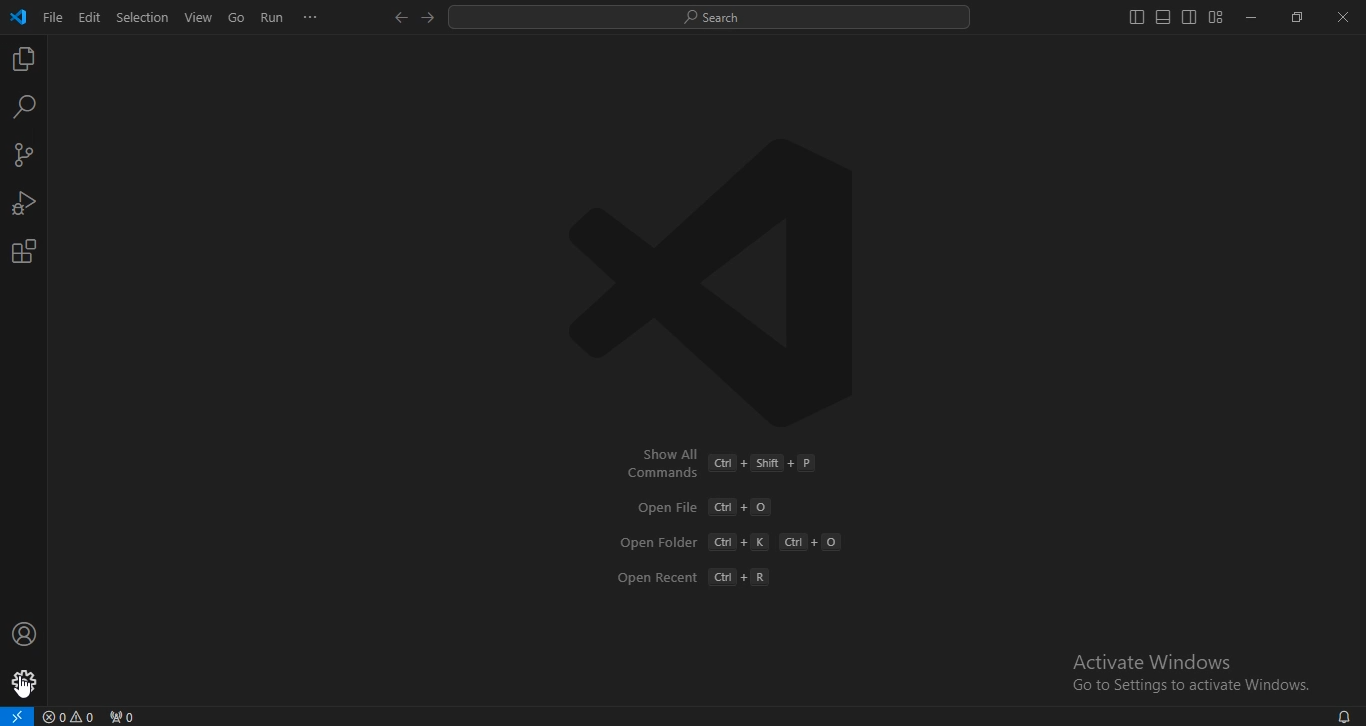 The height and width of the screenshot is (726, 1366). What do you see at coordinates (72, 717) in the screenshot?
I see `no problems` at bounding box center [72, 717].